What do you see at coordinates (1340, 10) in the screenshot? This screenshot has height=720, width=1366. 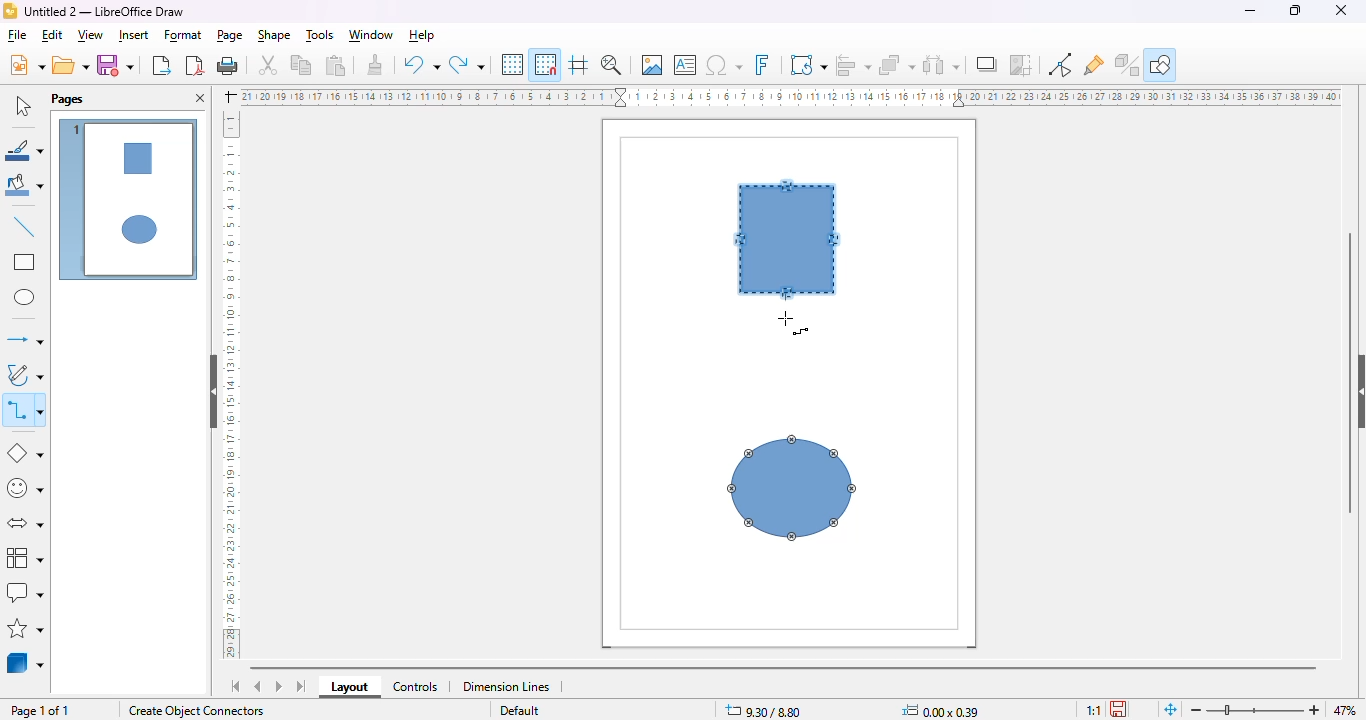 I see `close` at bounding box center [1340, 10].